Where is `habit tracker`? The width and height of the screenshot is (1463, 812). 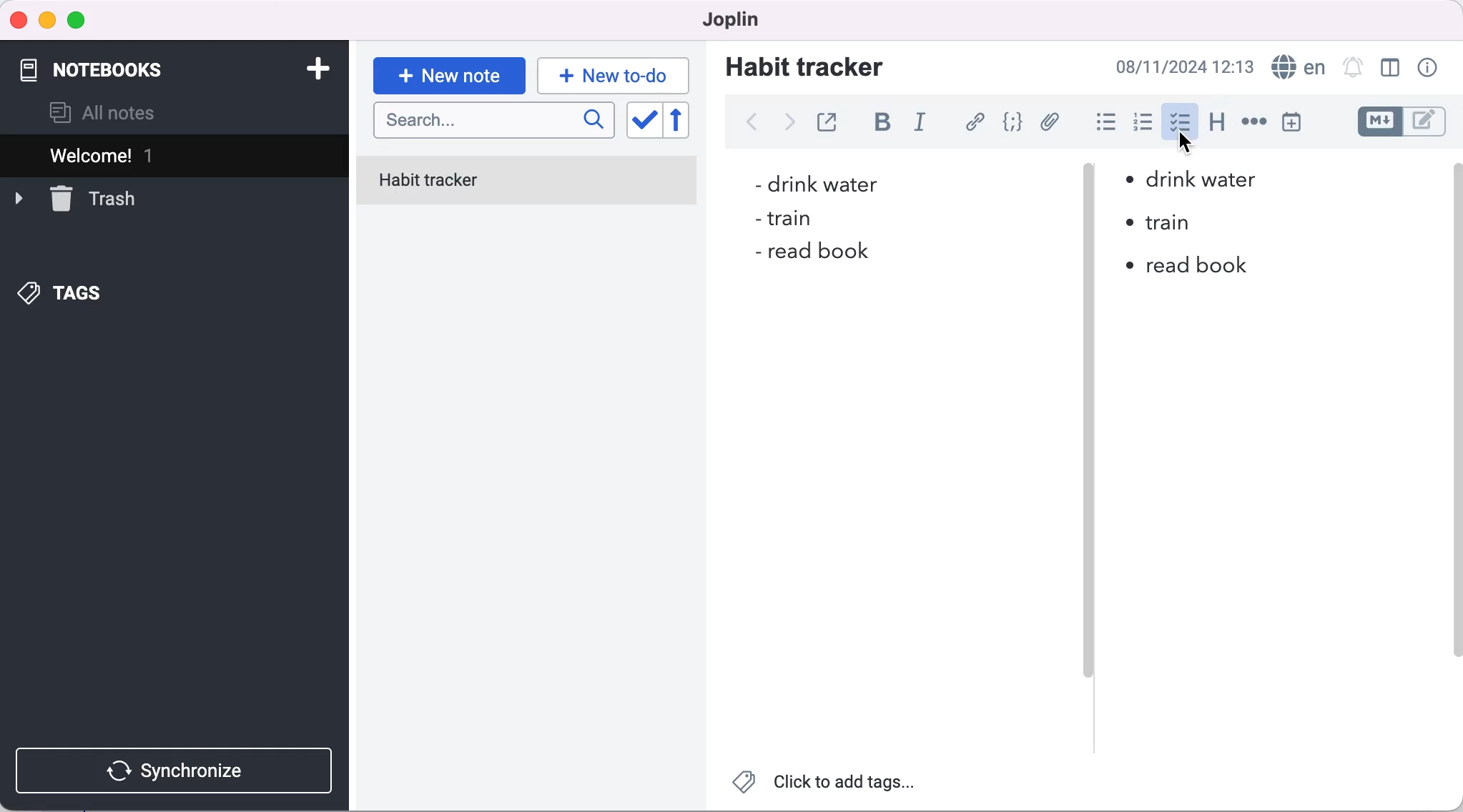 habit tracker is located at coordinates (527, 182).